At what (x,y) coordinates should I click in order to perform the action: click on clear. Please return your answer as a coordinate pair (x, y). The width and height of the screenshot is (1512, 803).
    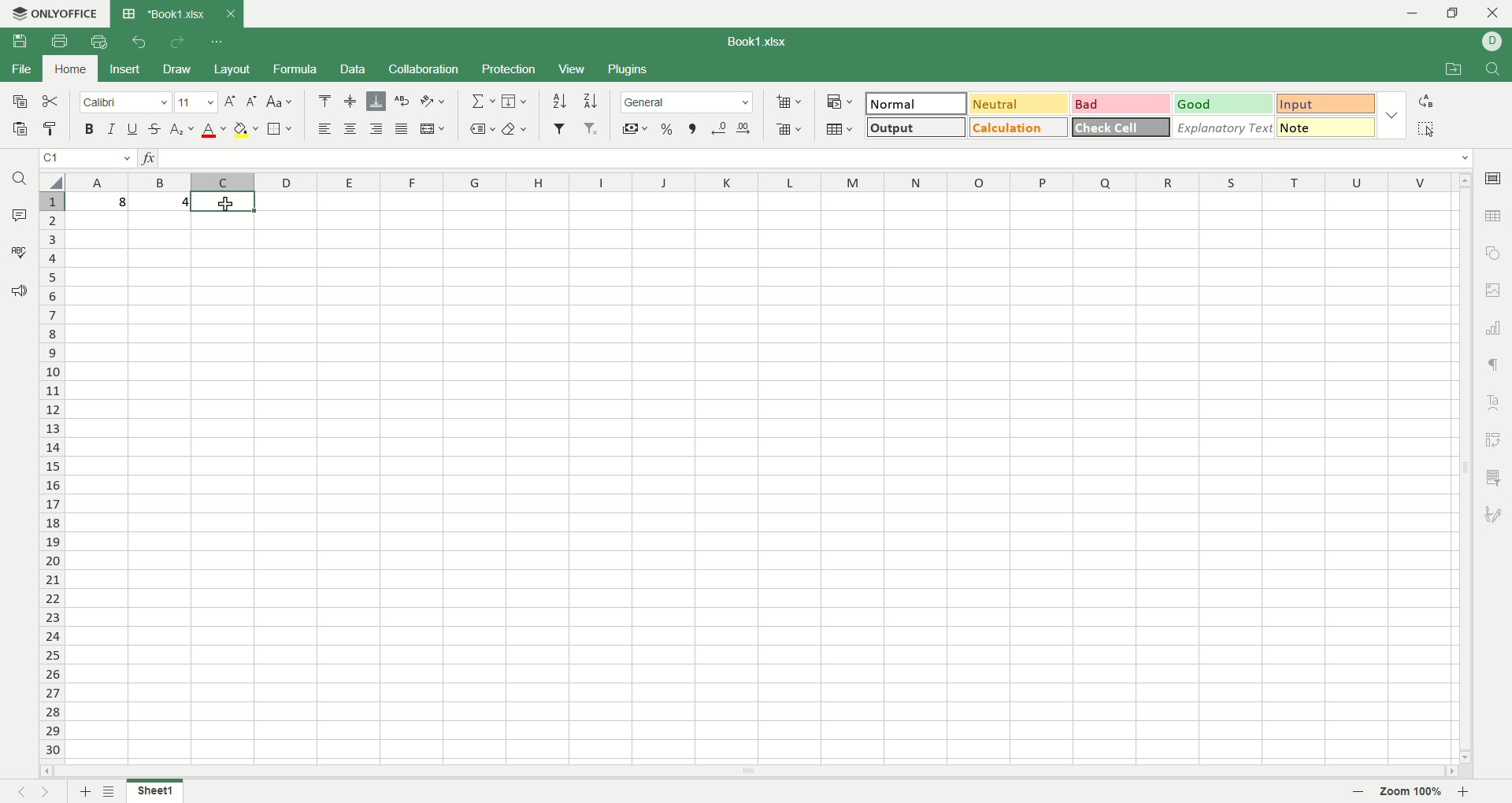
    Looking at the image, I should click on (514, 128).